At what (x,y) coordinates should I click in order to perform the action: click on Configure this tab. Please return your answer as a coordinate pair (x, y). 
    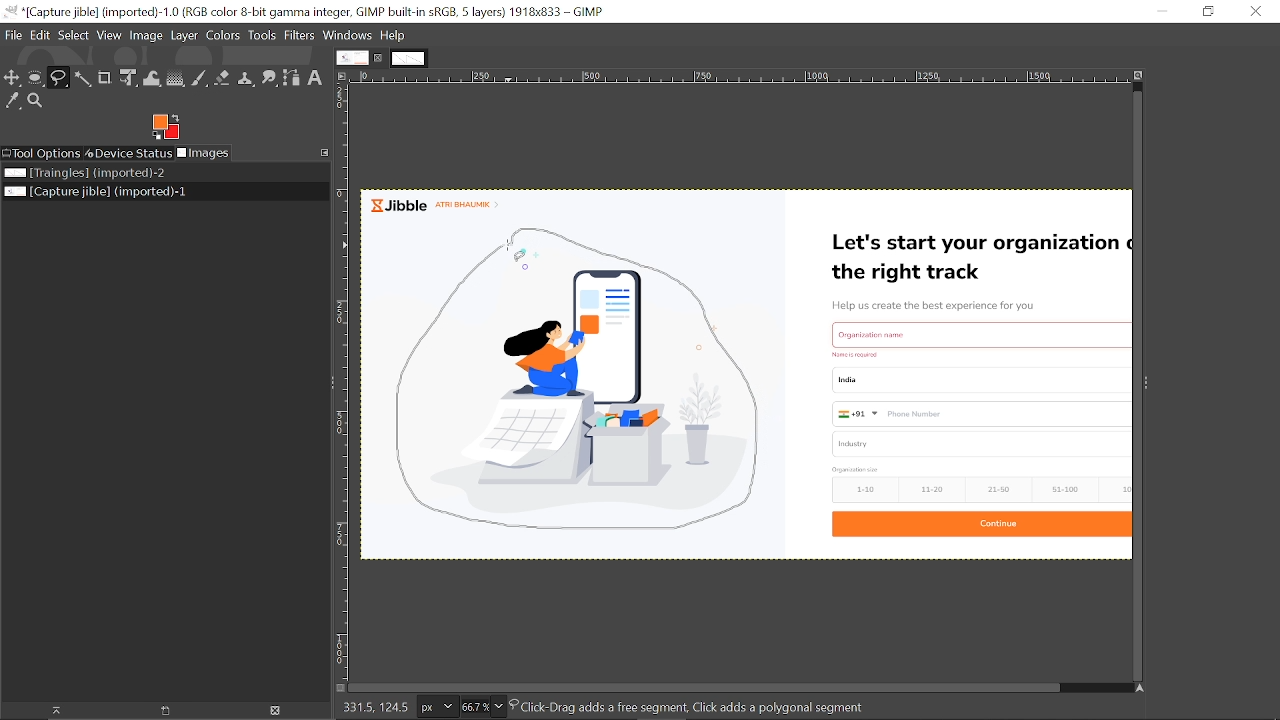
    Looking at the image, I should click on (326, 152).